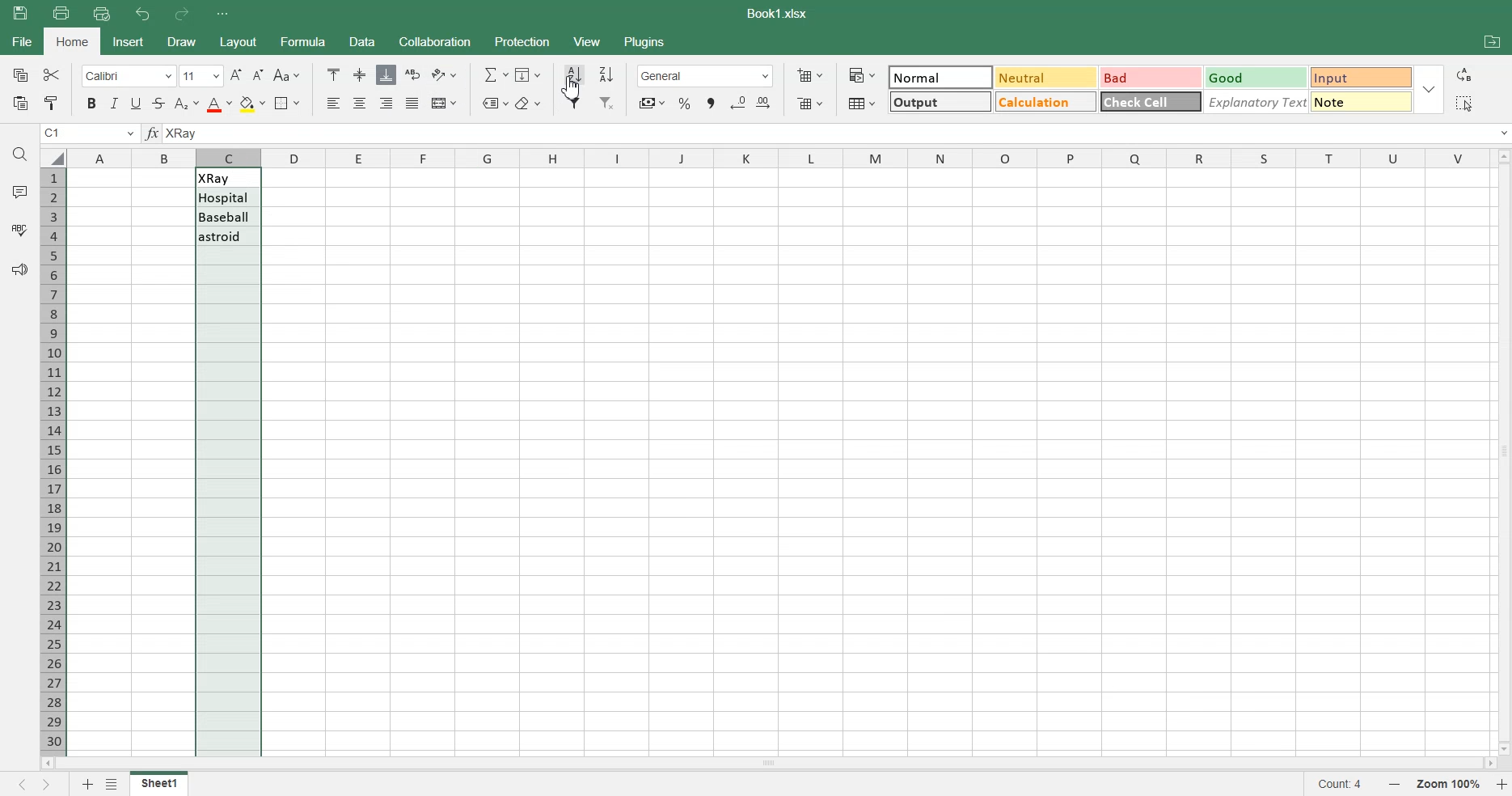 This screenshot has width=1512, height=796. I want to click on zoom out, so click(1399, 785).